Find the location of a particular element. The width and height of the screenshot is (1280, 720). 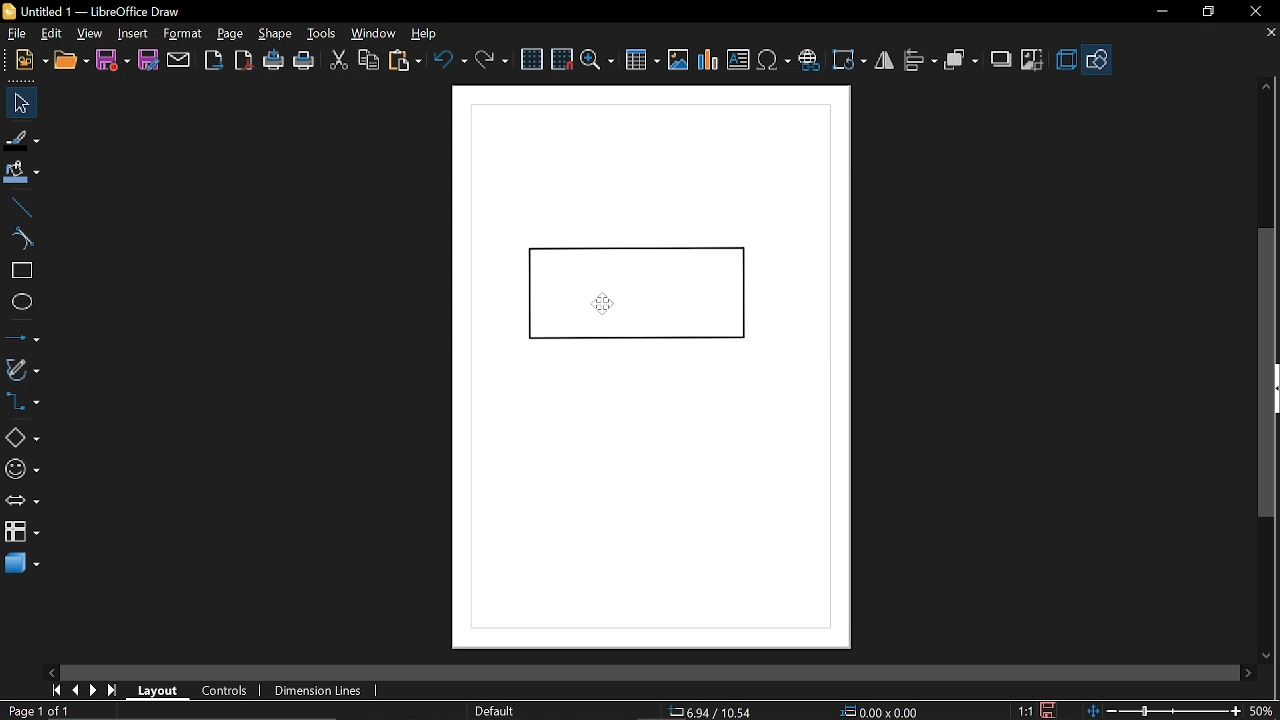

attach is located at coordinates (177, 61).